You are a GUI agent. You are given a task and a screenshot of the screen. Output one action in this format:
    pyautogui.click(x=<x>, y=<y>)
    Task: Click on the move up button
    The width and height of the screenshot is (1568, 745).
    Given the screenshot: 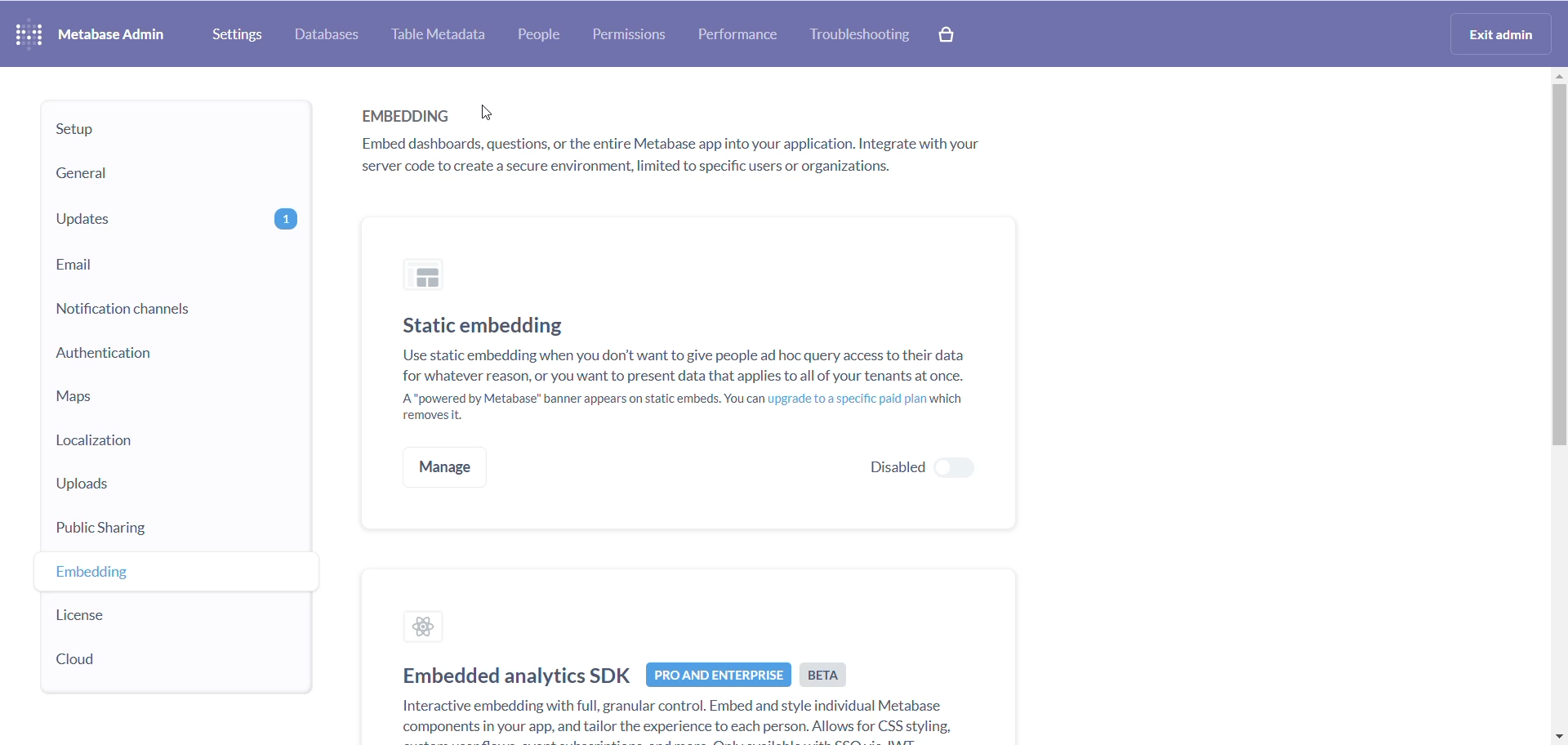 What is the action you would take?
    pyautogui.click(x=1558, y=75)
    